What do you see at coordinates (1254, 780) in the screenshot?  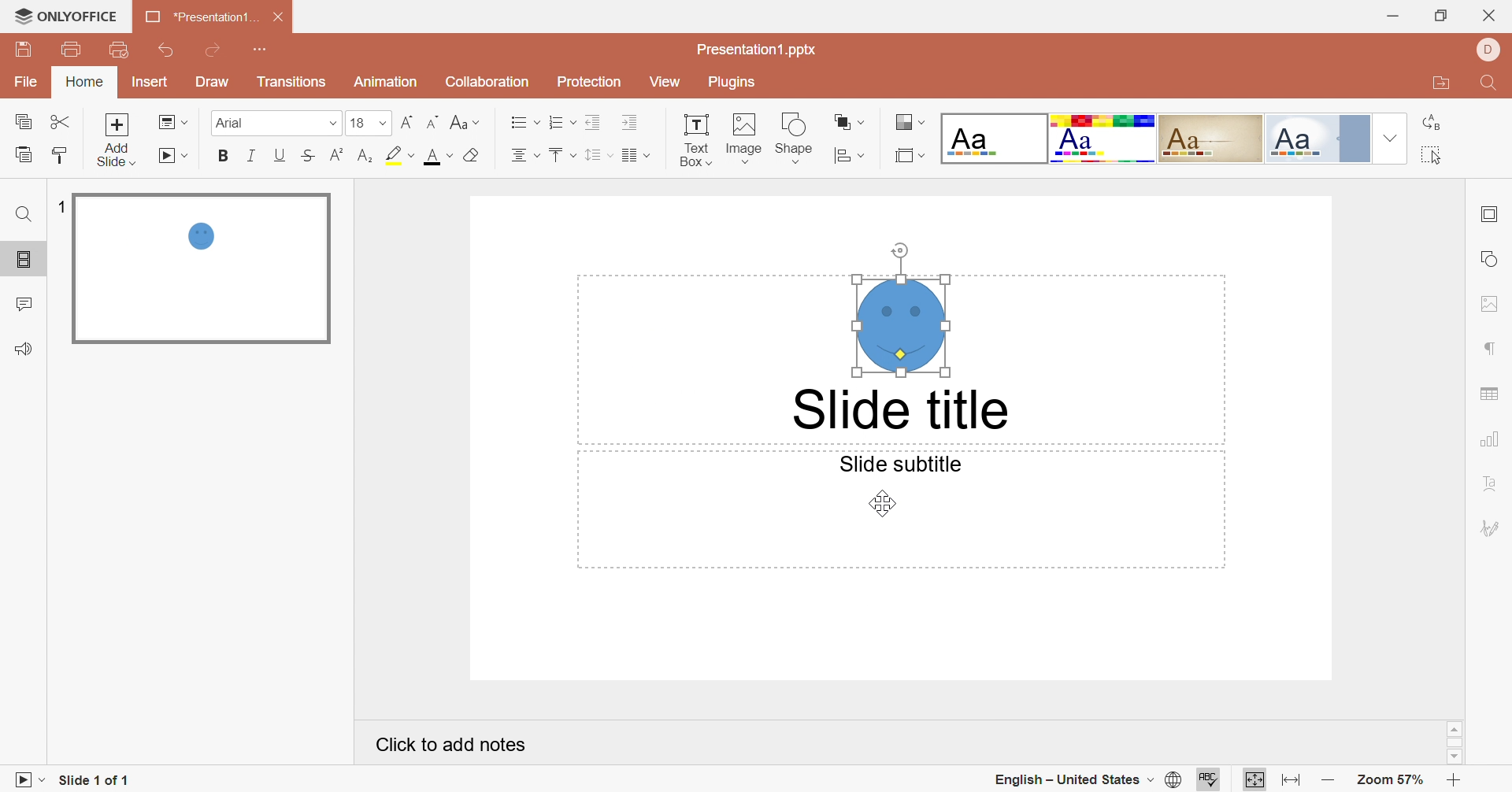 I see `Fit to slide` at bounding box center [1254, 780].